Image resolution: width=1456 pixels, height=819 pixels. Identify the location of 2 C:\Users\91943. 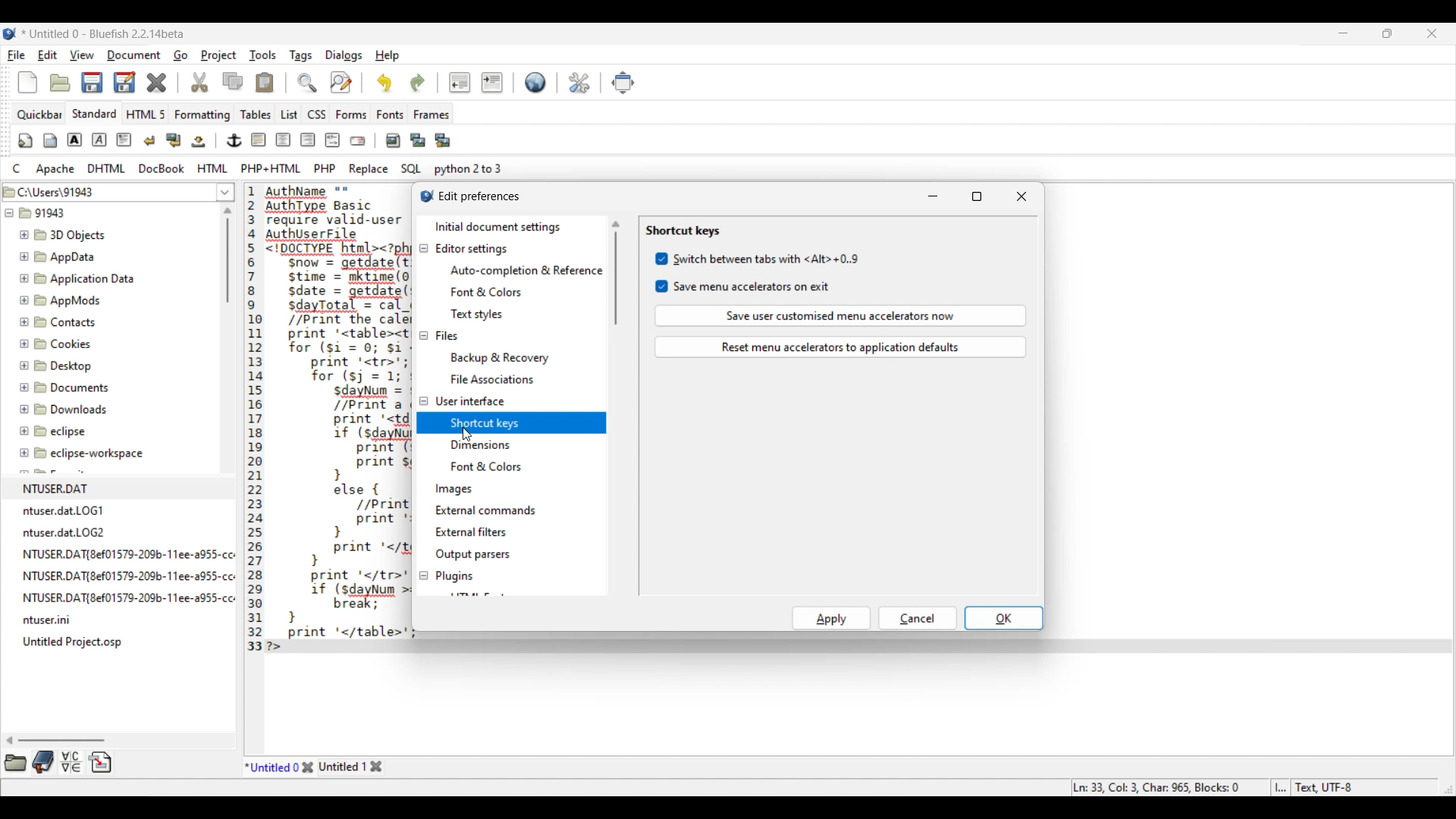
(53, 190).